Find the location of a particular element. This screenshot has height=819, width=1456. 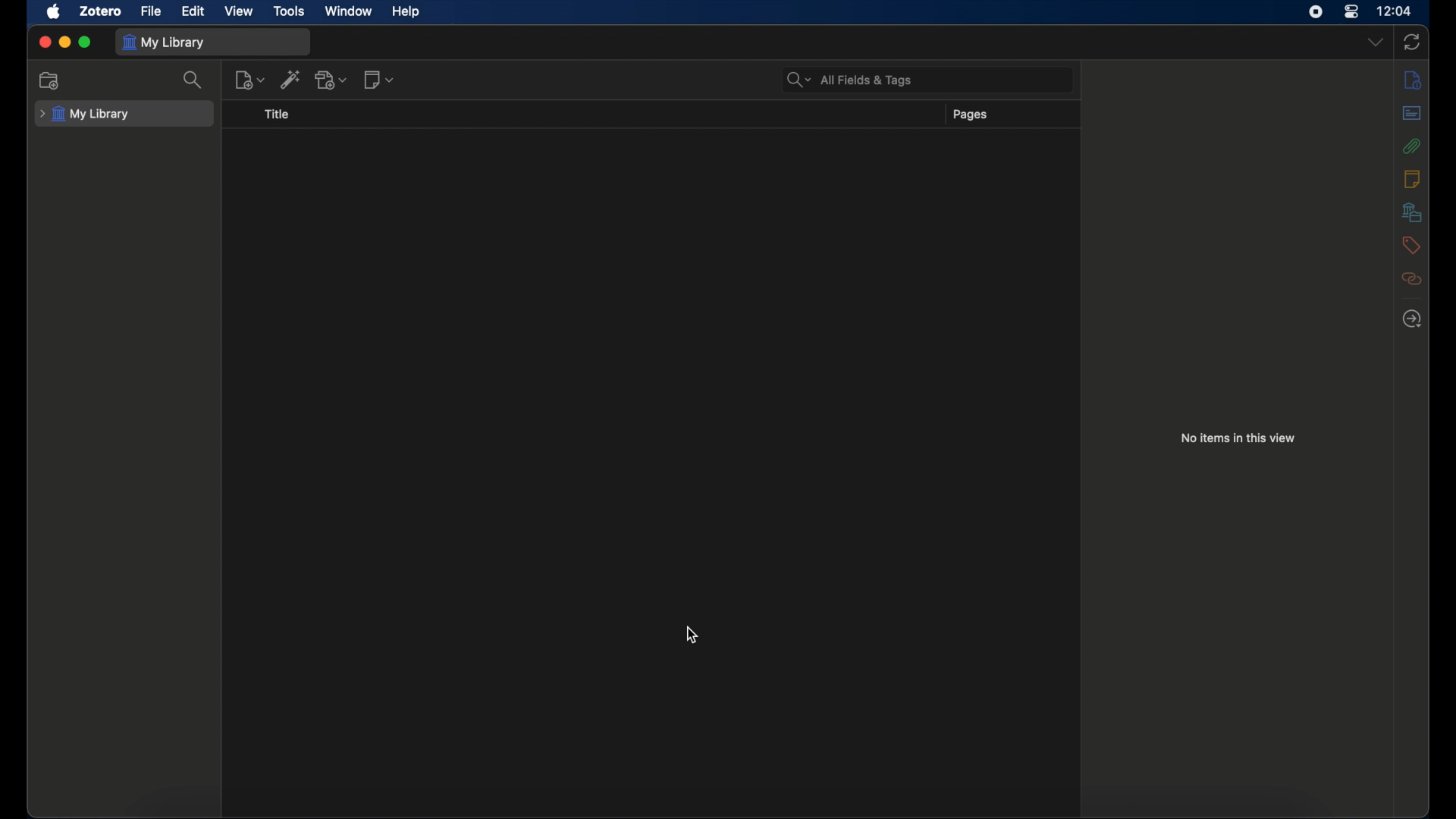

new item is located at coordinates (249, 79).